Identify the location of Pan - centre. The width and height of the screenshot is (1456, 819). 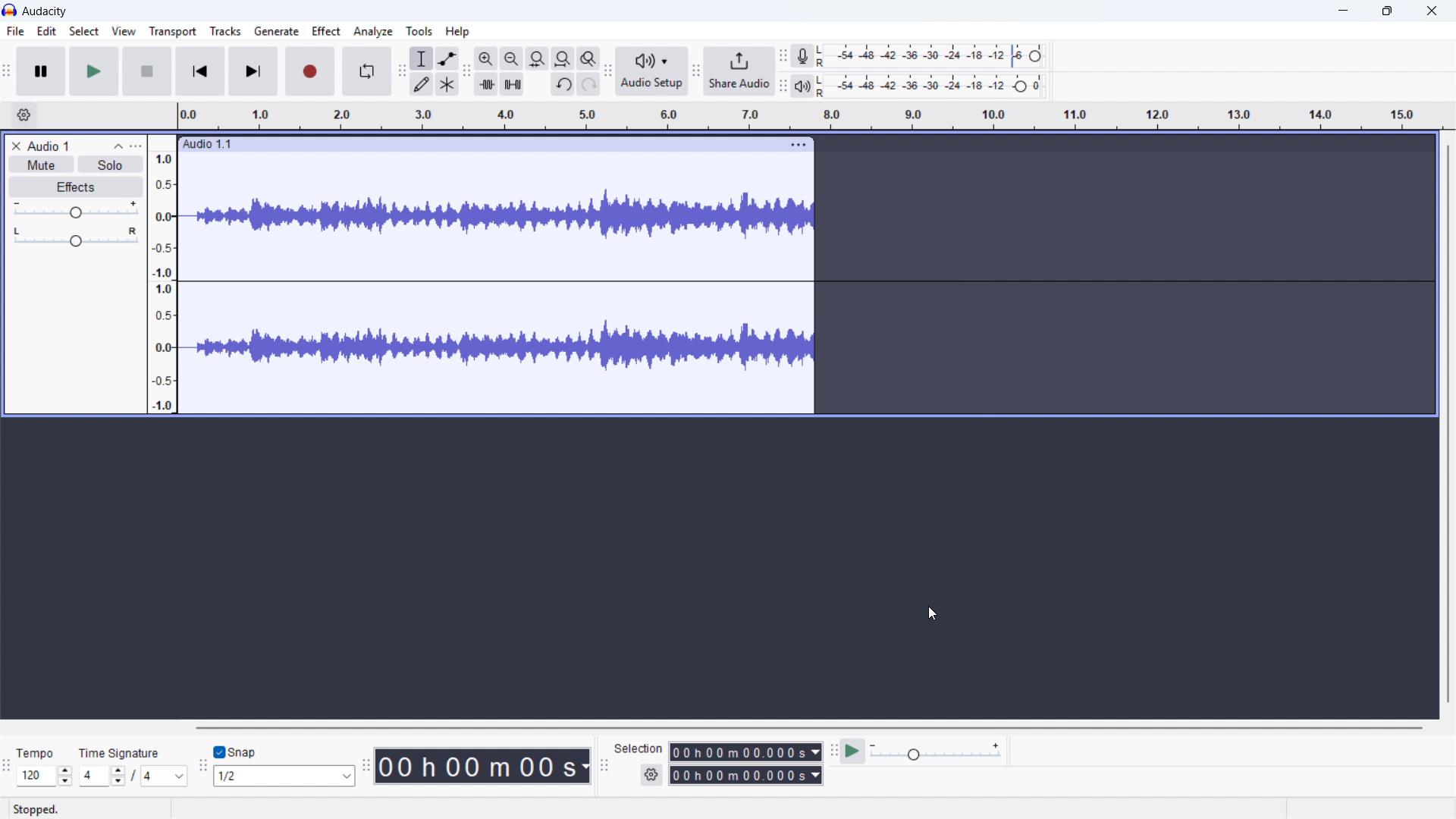
(76, 238).